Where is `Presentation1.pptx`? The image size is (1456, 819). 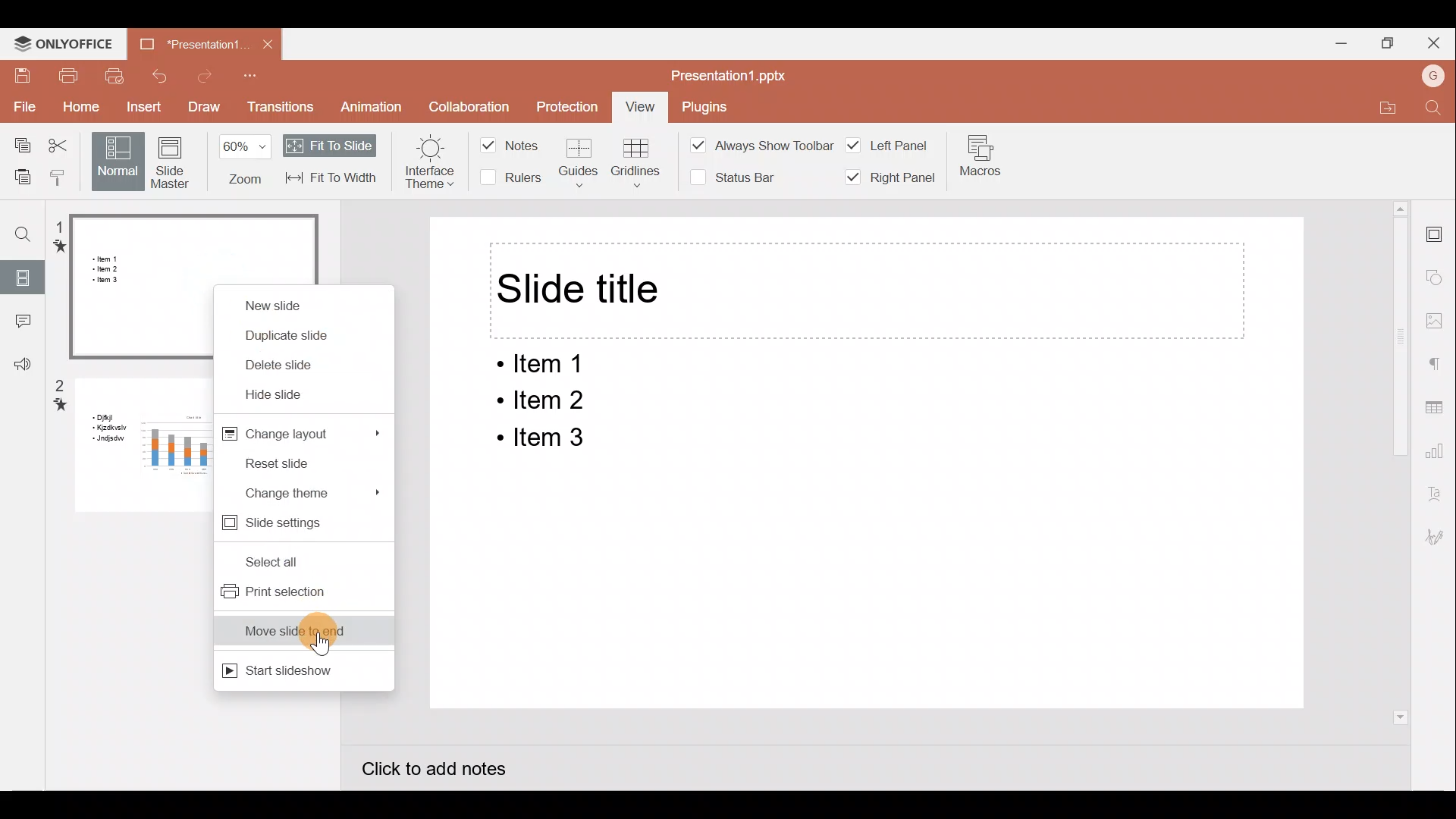
Presentation1.pptx is located at coordinates (746, 74).